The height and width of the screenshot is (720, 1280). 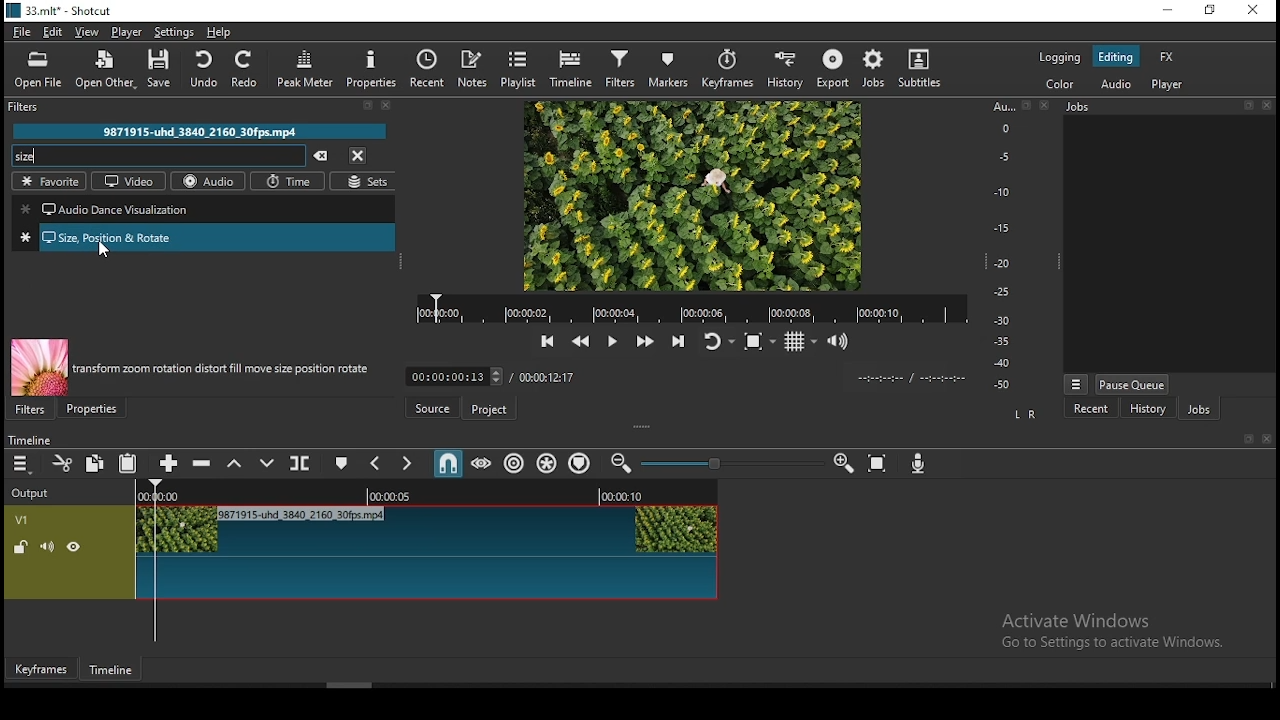 I want to click on subtitles, so click(x=919, y=70).